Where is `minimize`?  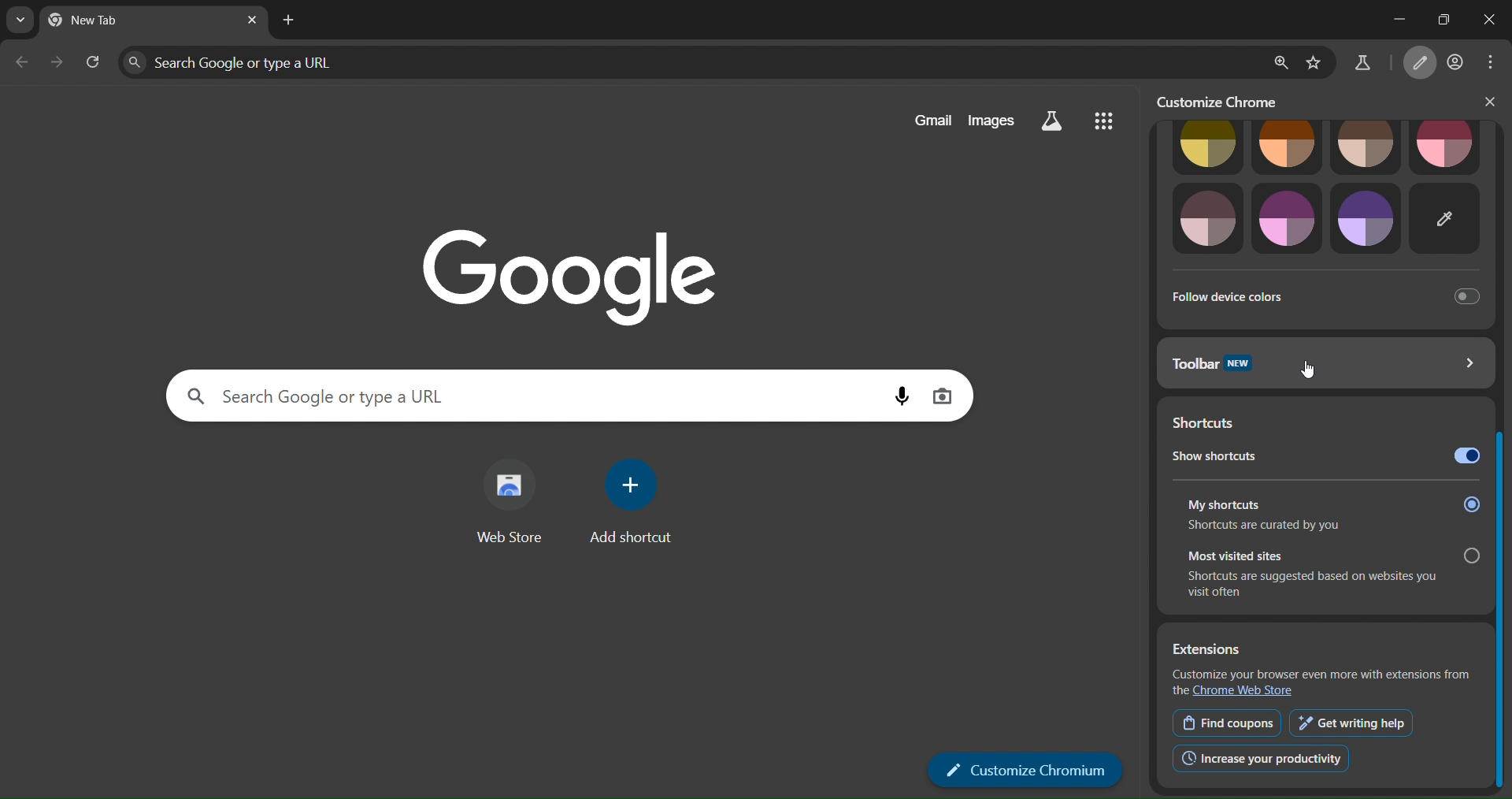
minimize is located at coordinates (1391, 18).